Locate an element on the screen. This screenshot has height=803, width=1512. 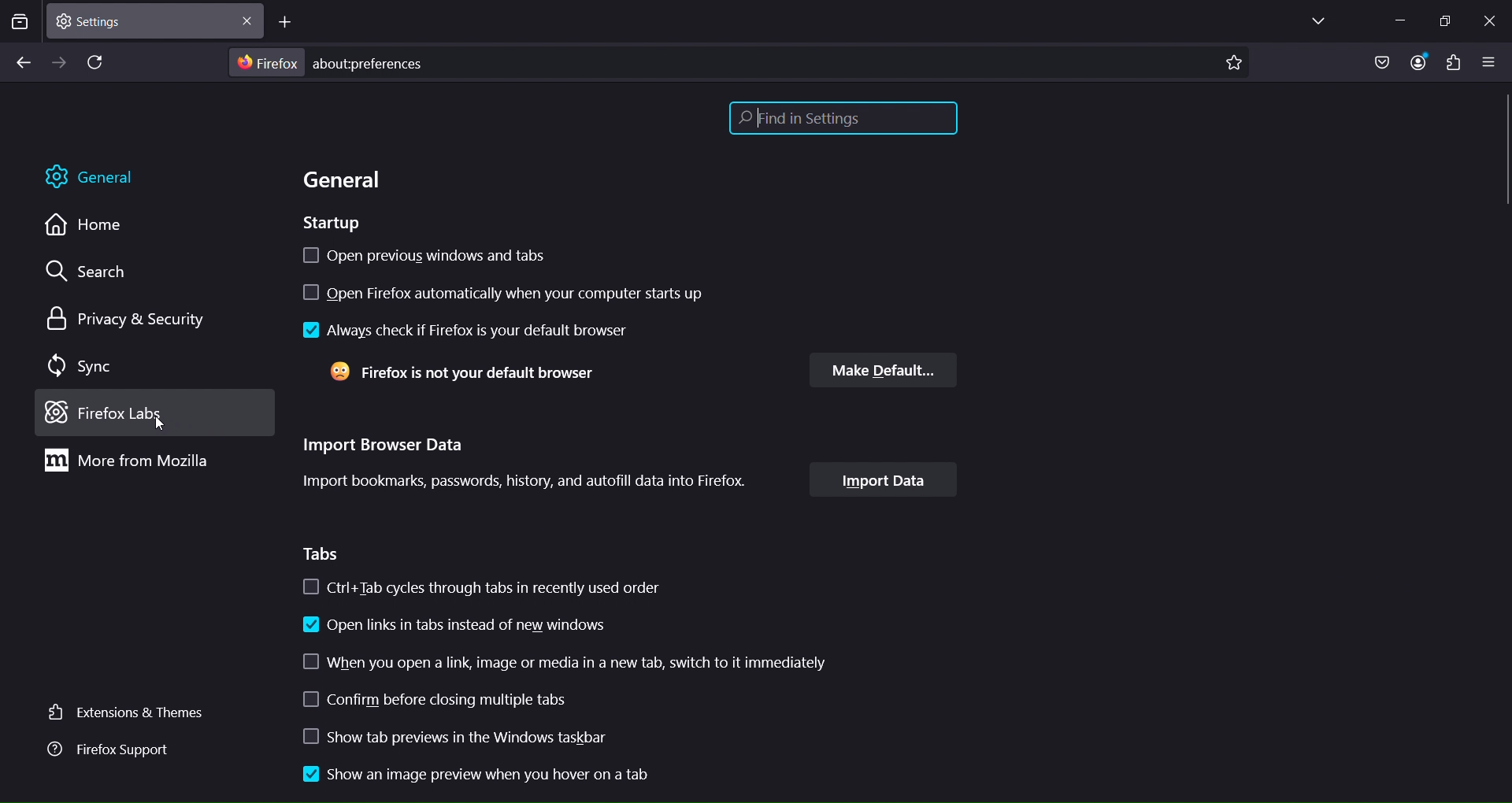
extensions and themes is located at coordinates (124, 711).